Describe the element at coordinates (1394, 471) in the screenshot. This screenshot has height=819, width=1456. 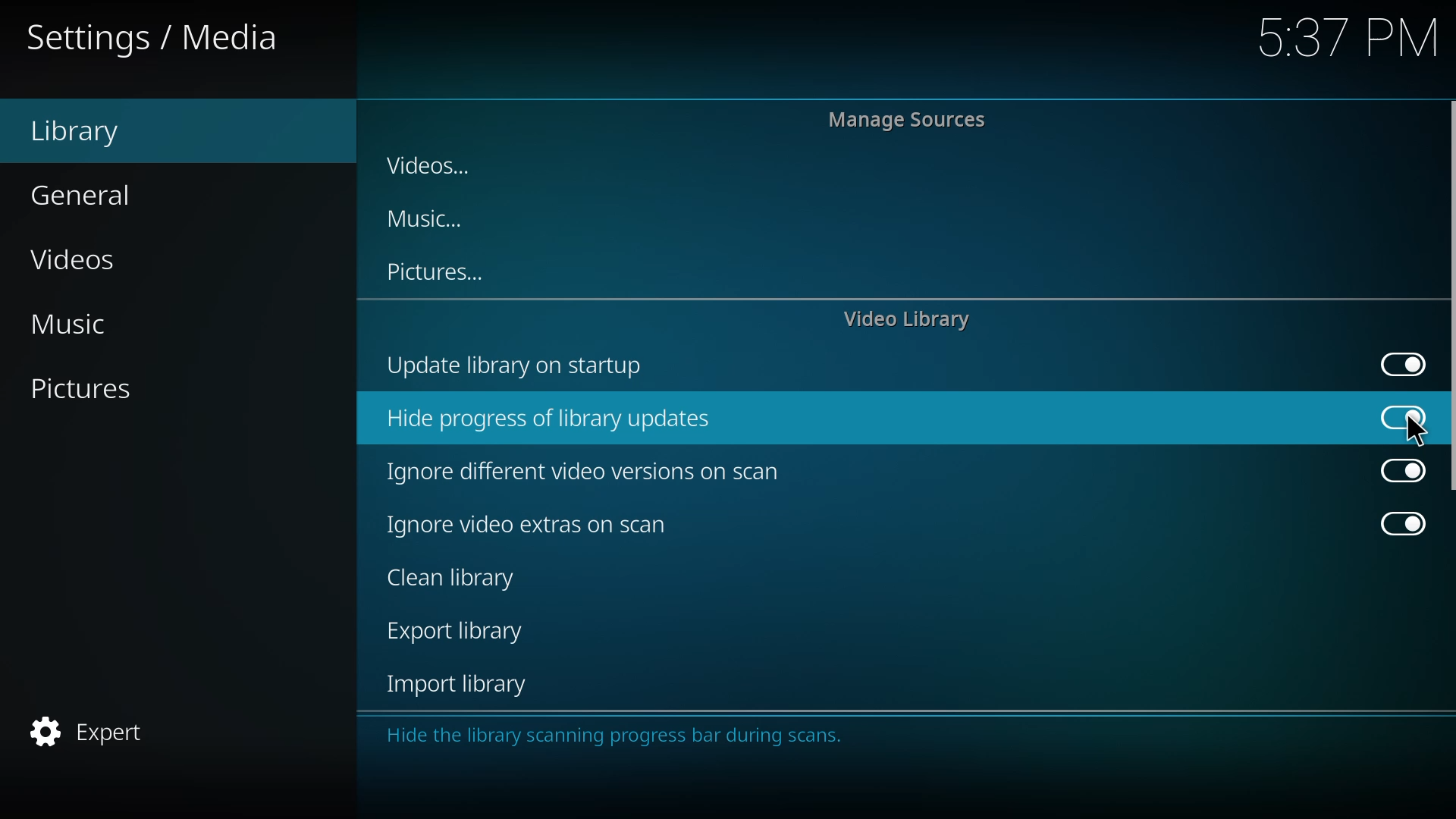
I see `enabled` at that location.